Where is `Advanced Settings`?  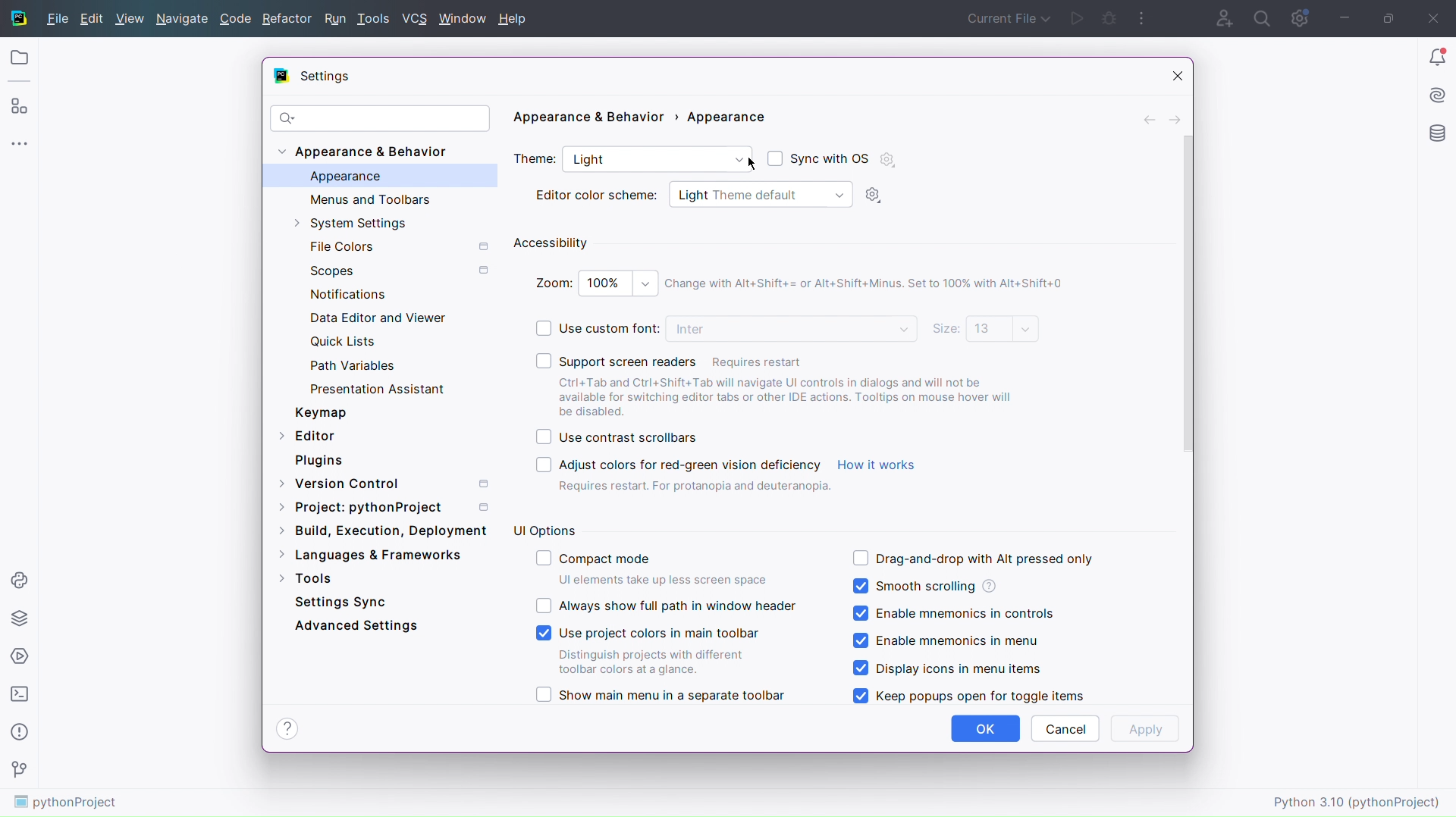 Advanced Settings is located at coordinates (359, 624).